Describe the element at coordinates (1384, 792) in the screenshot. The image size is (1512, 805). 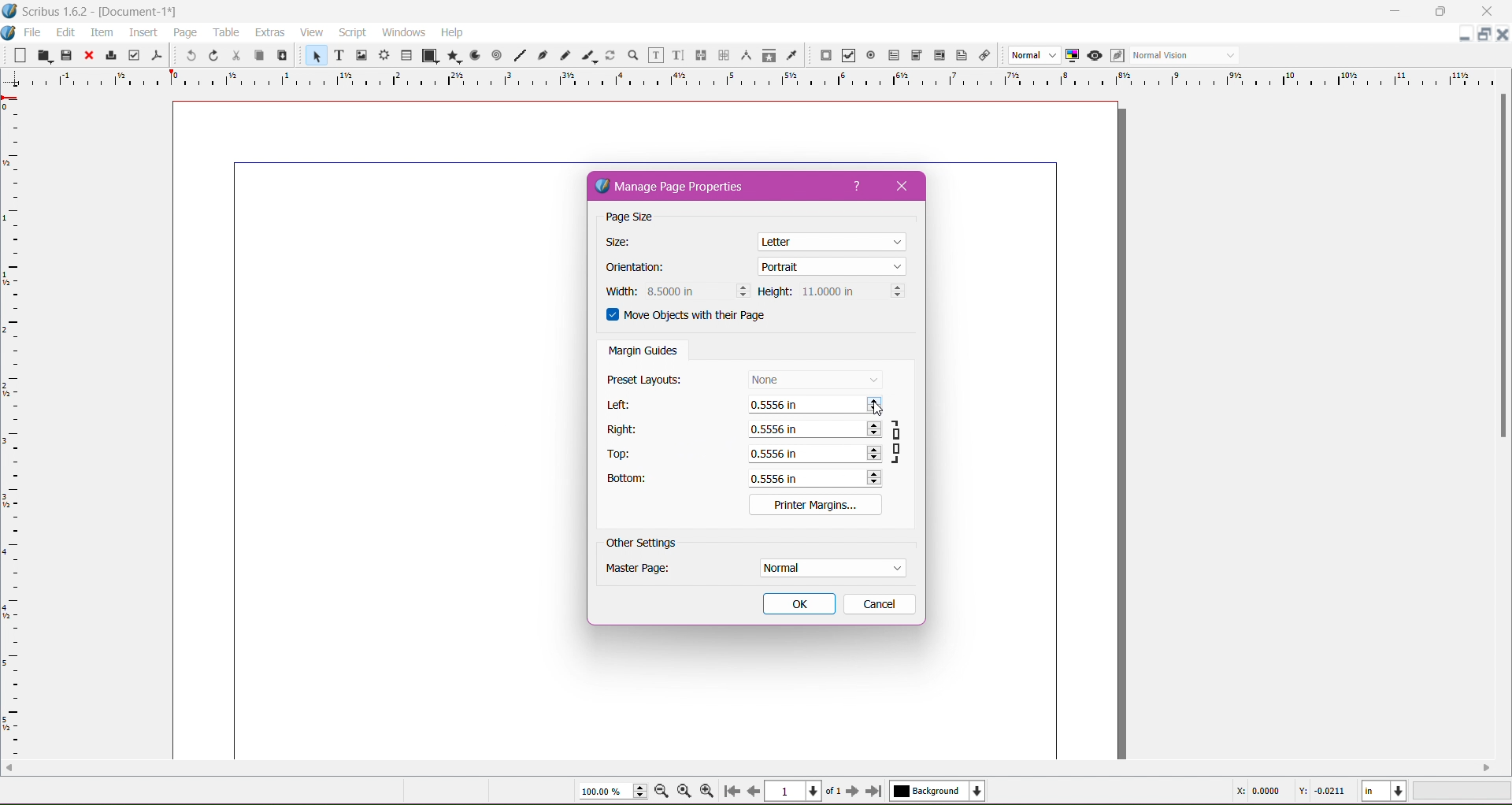
I see `Select the current unit` at that location.